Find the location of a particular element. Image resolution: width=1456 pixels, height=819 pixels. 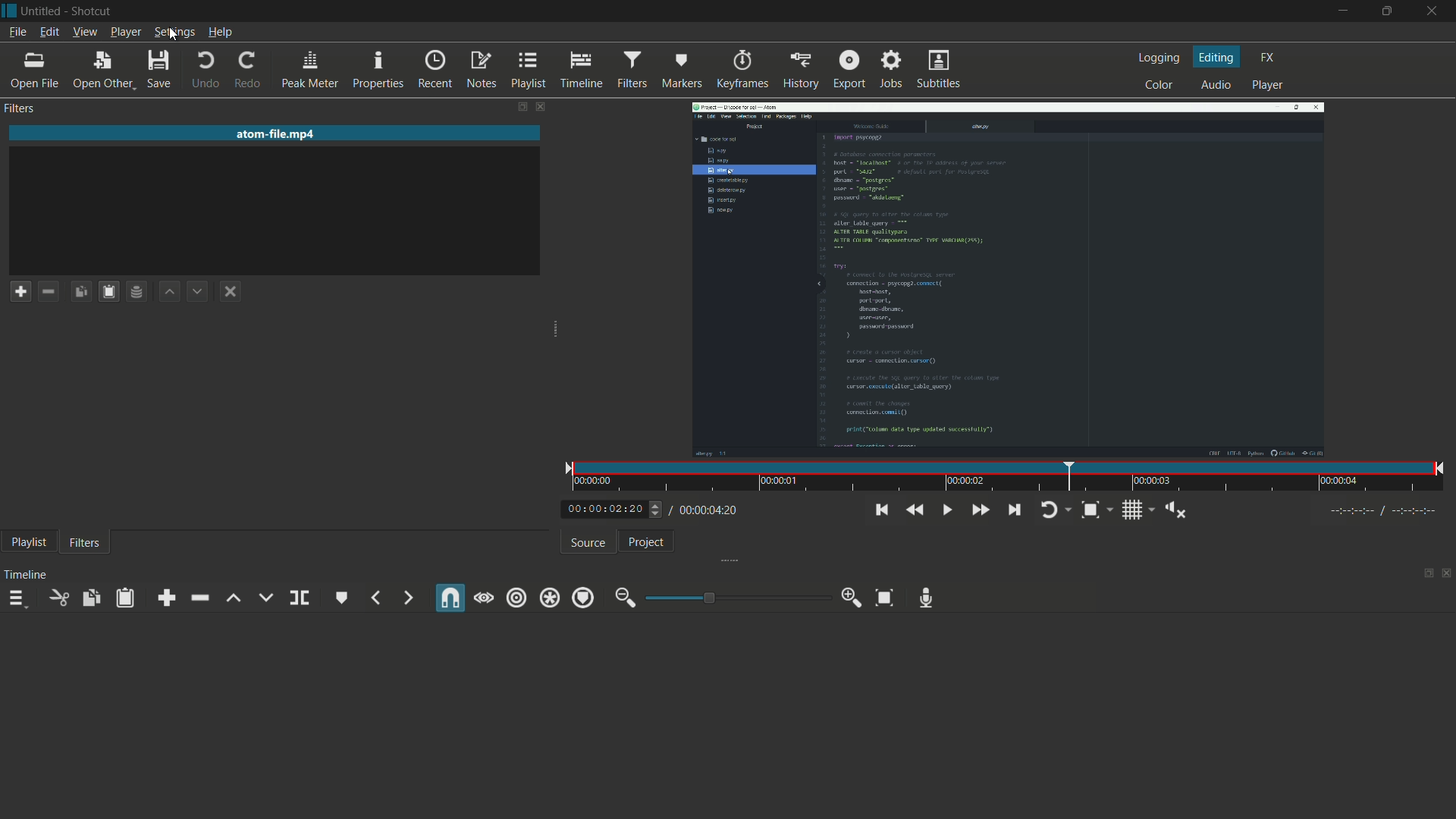

peak meter is located at coordinates (309, 70).